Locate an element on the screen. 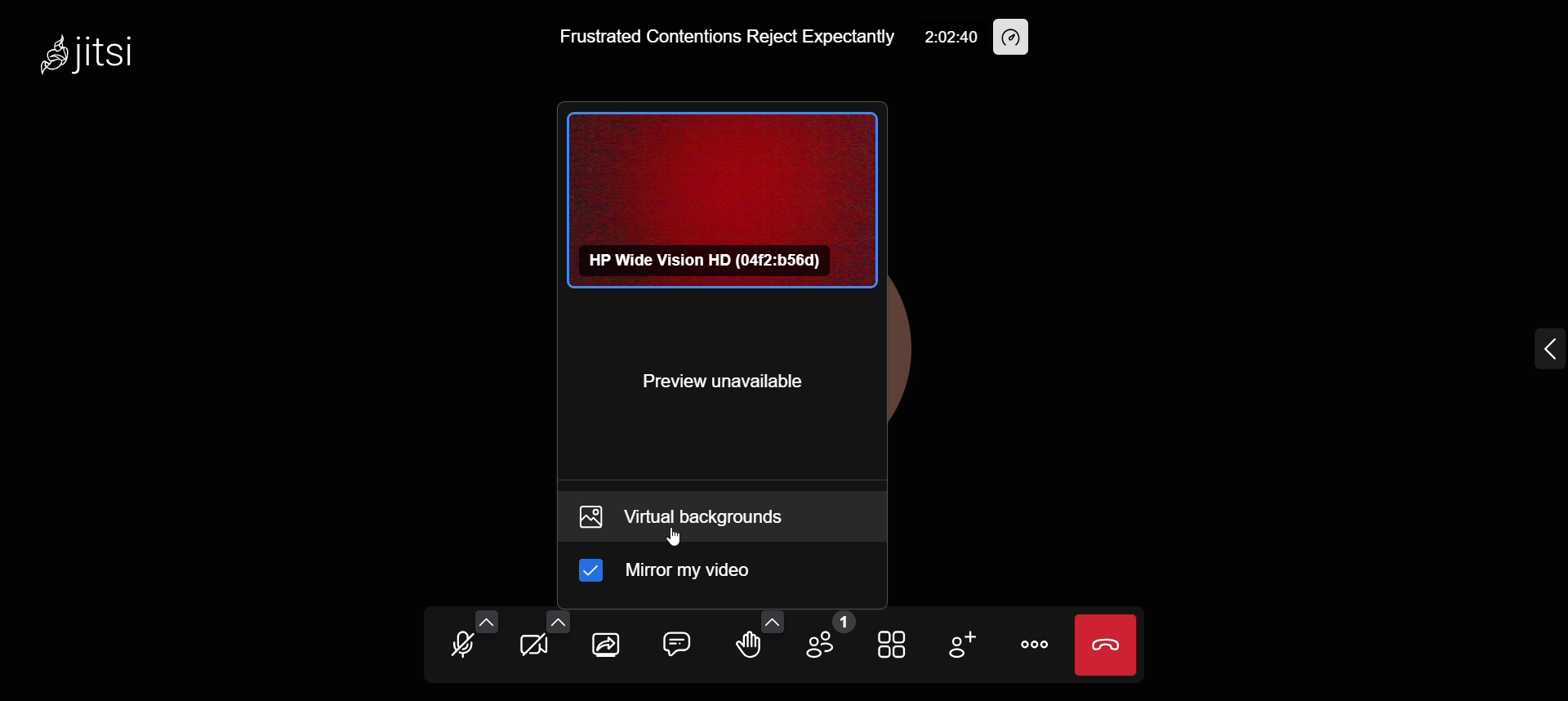  end call is located at coordinates (1107, 648).